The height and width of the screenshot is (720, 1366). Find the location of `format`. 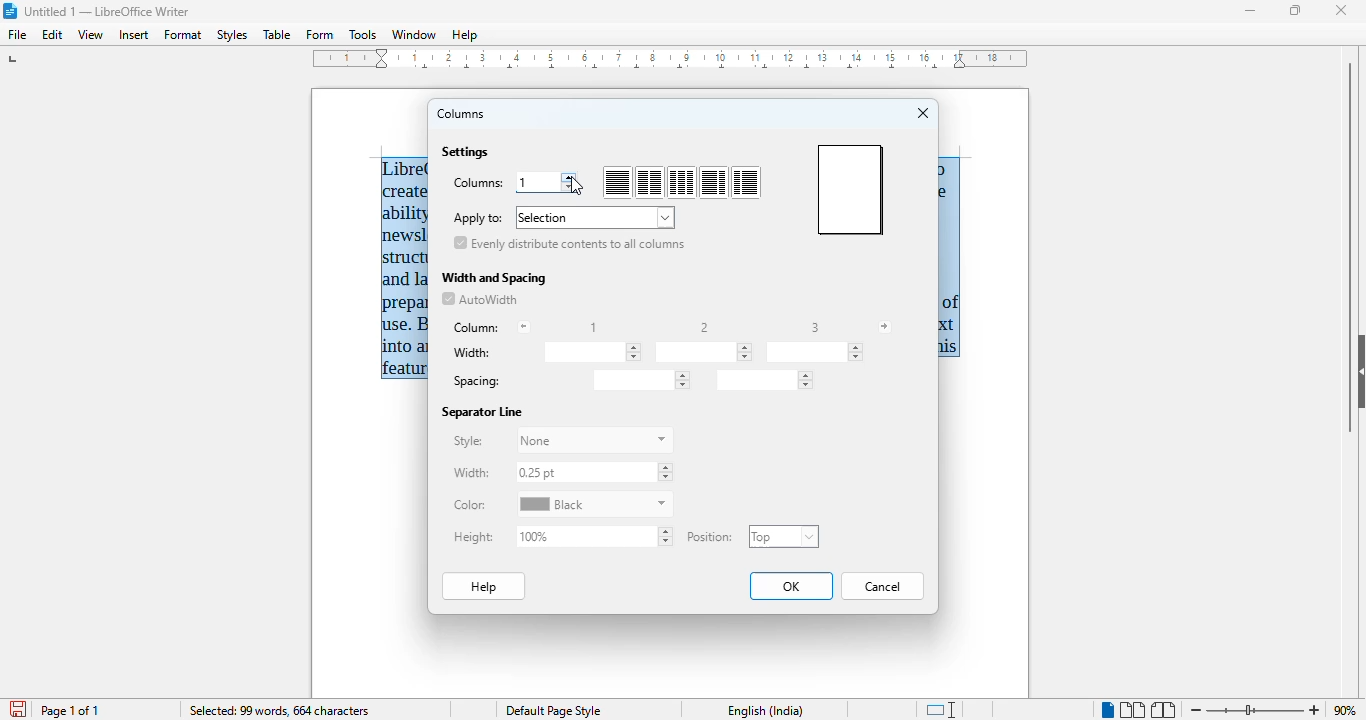

format is located at coordinates (183, 35).